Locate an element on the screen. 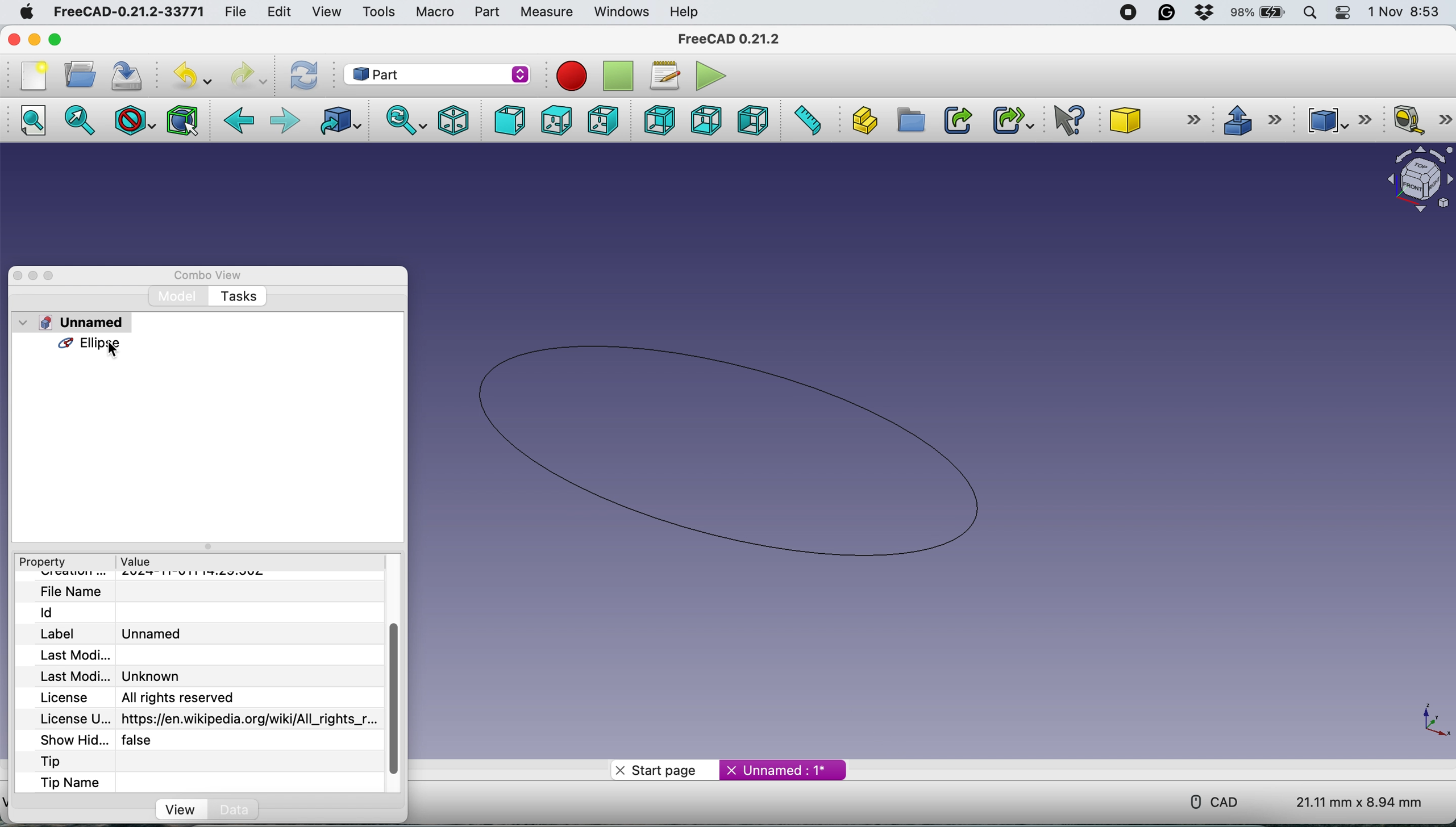 This screenshot has width=1456, height=827. record macros is located at coordinates (571, 75).